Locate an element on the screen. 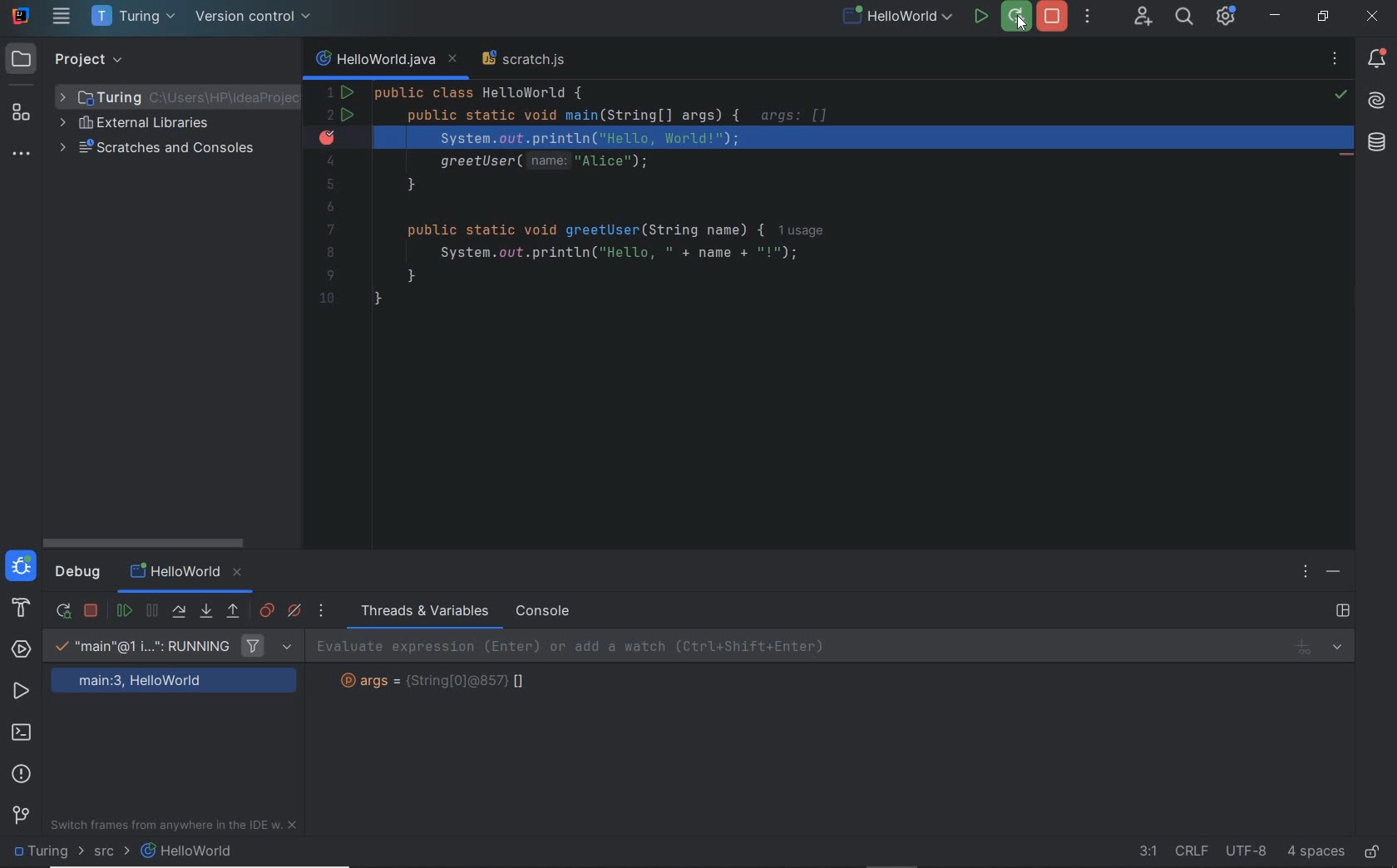 This screenshot has height=868, width=1397. resume program is located at coordinates (126, 611).